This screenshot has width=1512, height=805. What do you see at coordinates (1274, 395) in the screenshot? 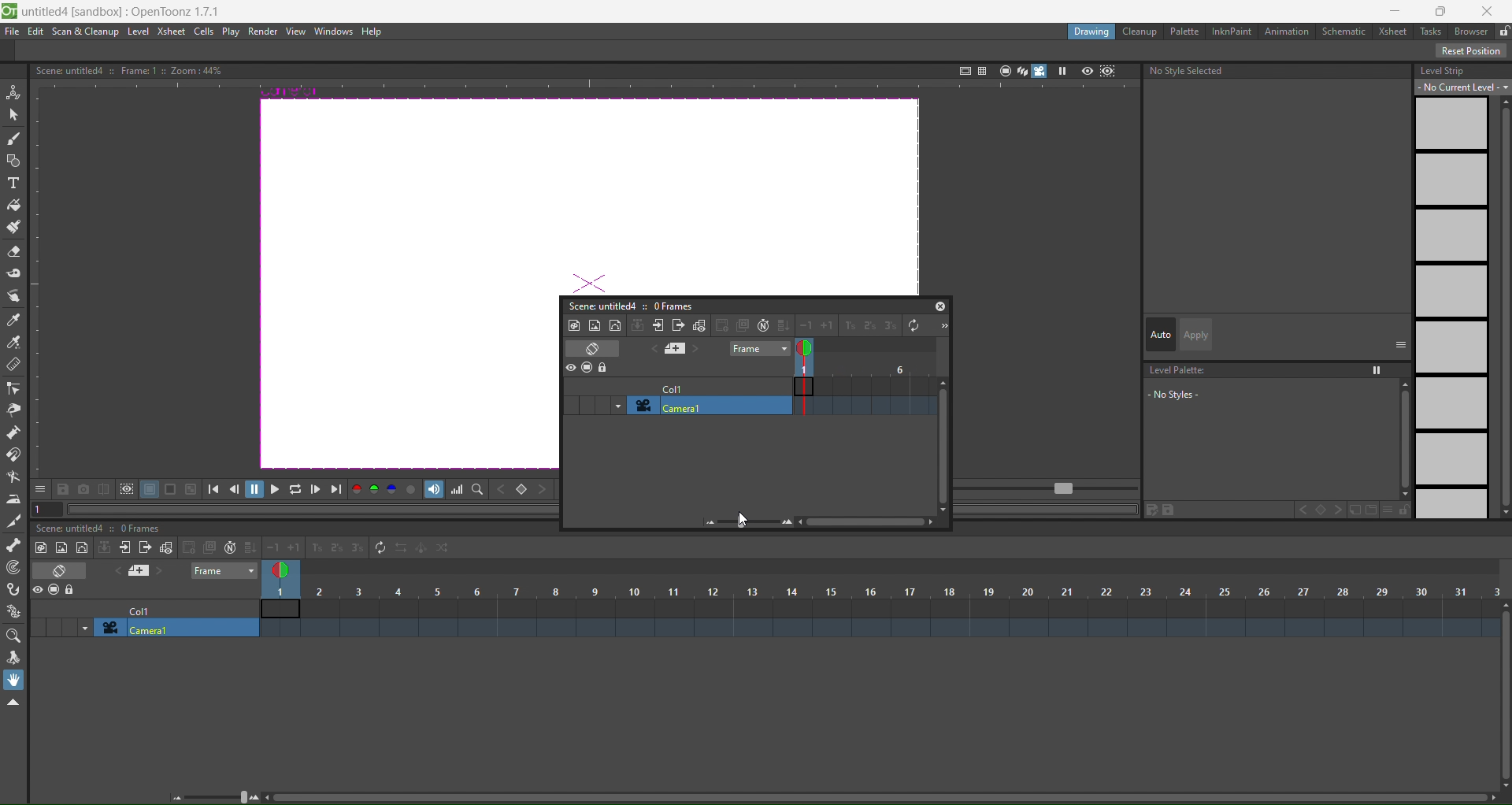
I see `level palette` at bounding box center [1274, 395].